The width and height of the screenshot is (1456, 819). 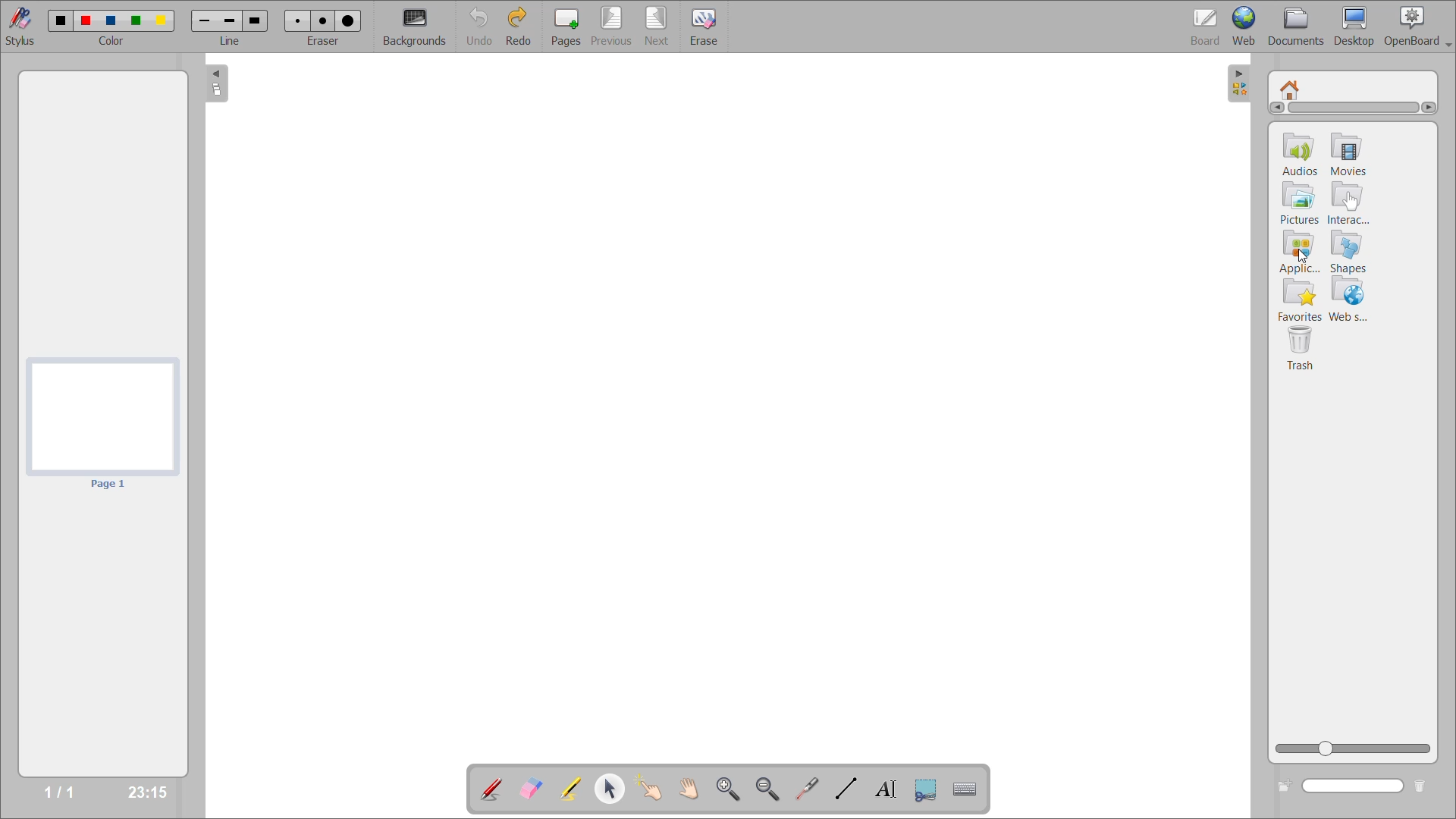 I want to click on line 1, so click(x=206, y=22).